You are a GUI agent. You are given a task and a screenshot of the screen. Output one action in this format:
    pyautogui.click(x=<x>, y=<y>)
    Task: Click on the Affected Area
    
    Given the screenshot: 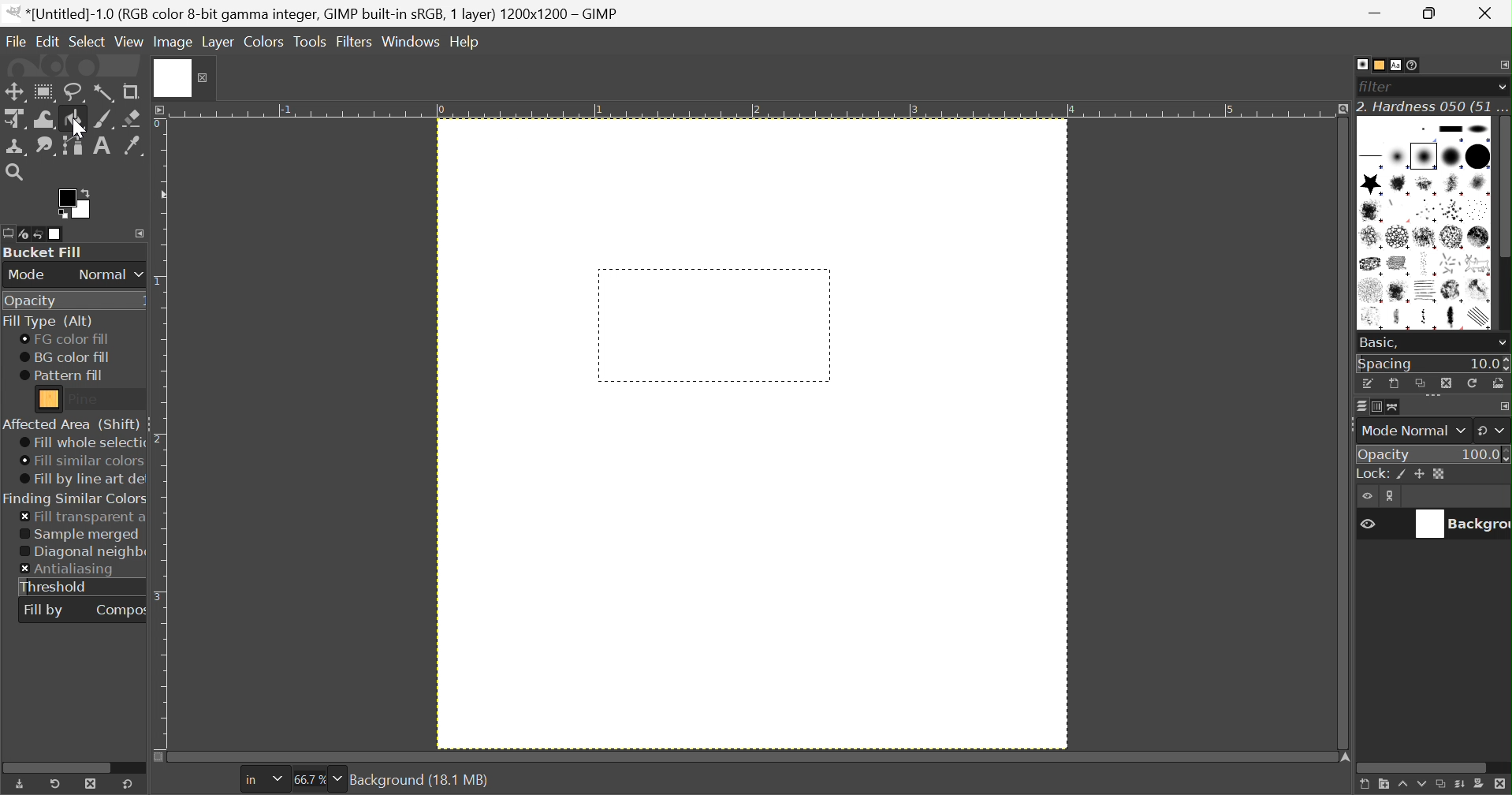 What is the action you would take?
    pyautogui.click(x=71, y=424)
    